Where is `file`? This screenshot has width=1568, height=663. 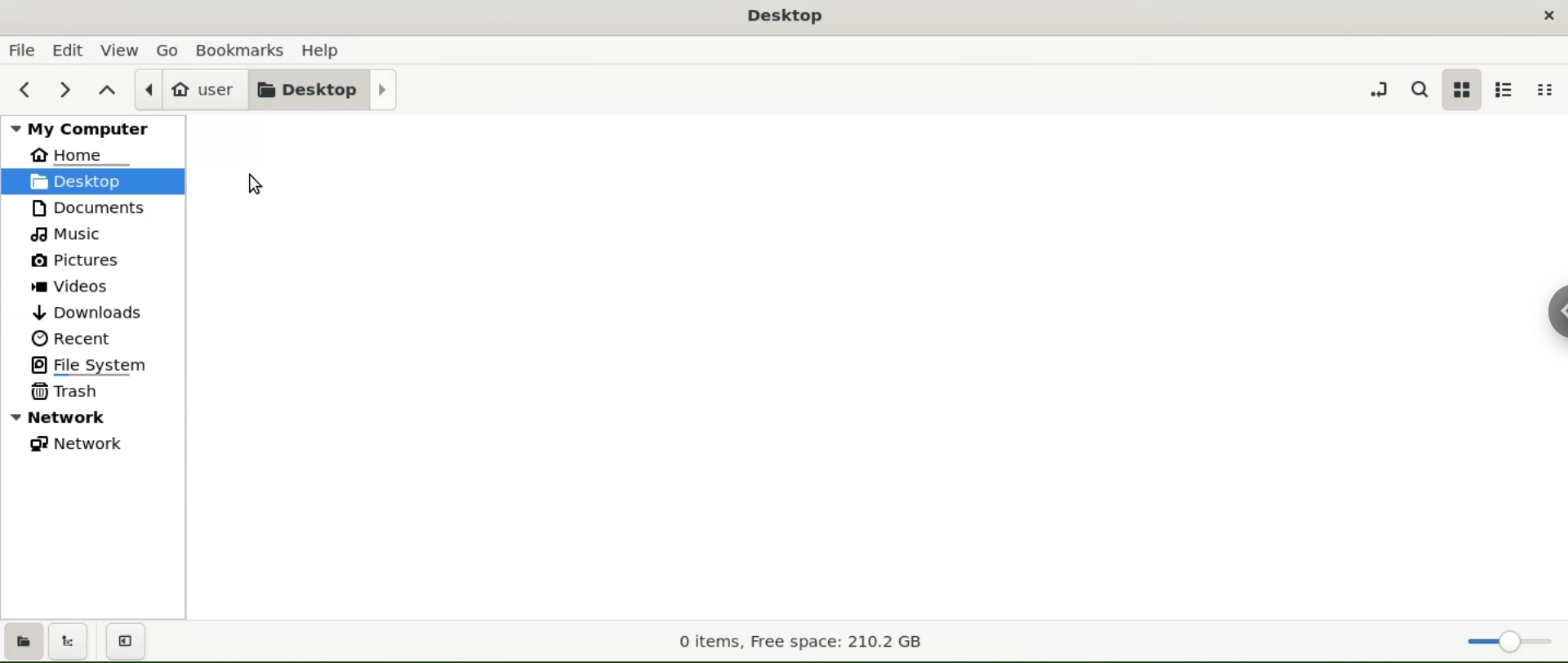 file is located at coordinates (21, 50).